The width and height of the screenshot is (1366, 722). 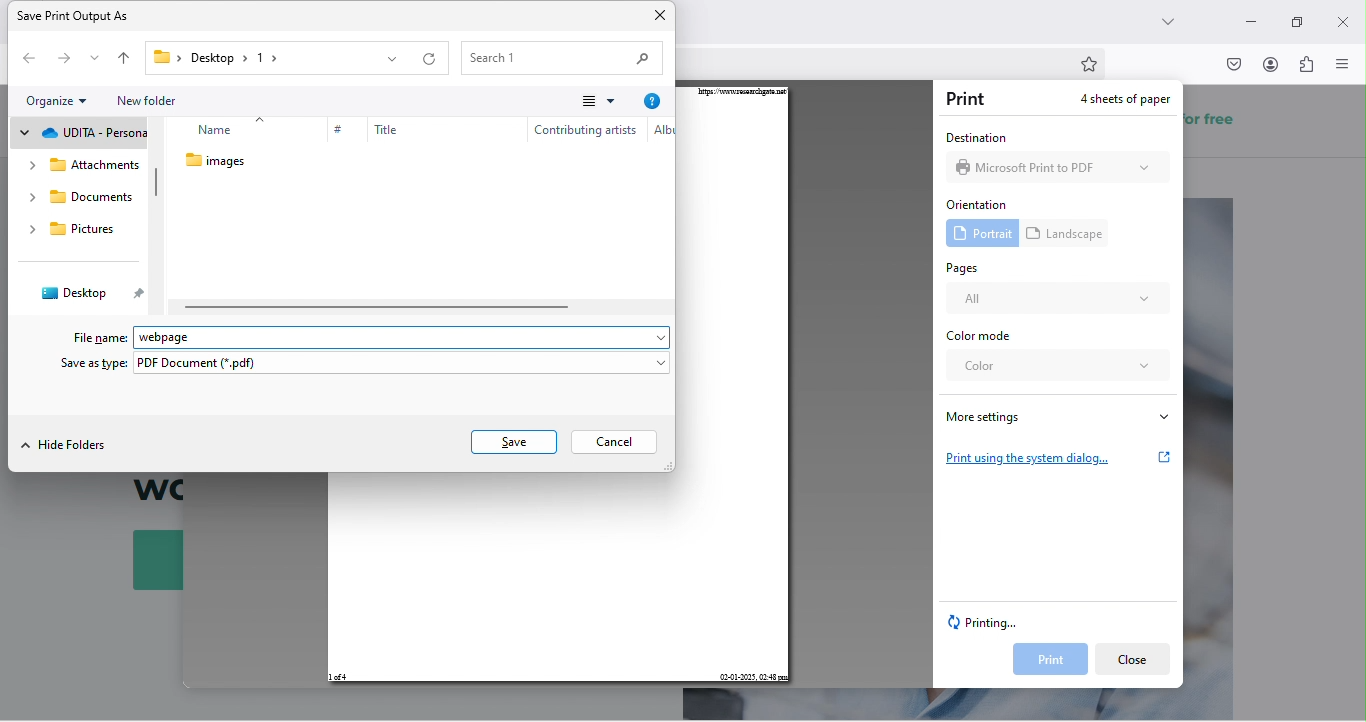 What do you see at coordinates (1045, 660) in the screenshot?
I see `print` at bounding box center [1045, 660].